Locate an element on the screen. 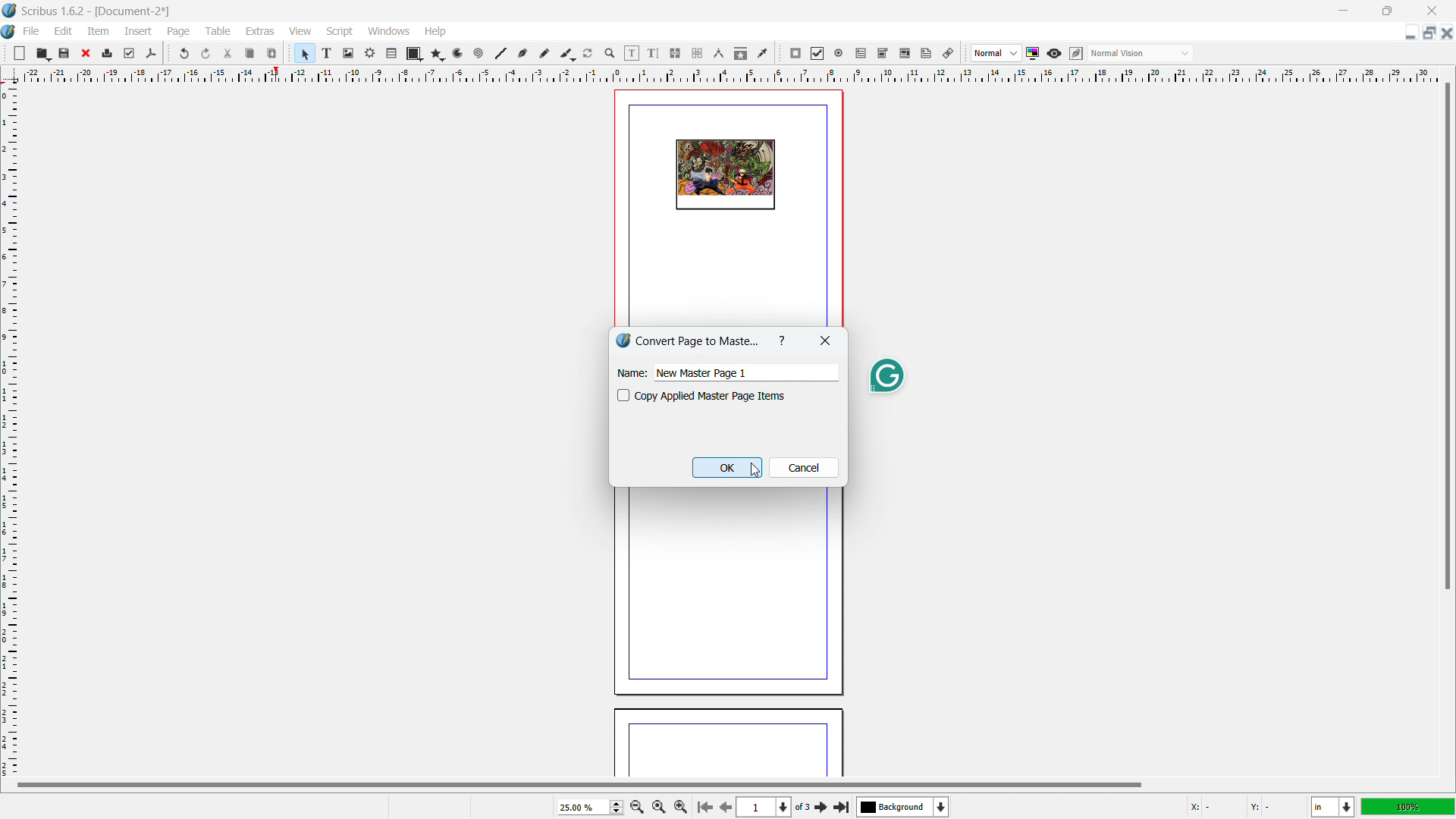  select image preview quality is located at coordinates (996, 53).